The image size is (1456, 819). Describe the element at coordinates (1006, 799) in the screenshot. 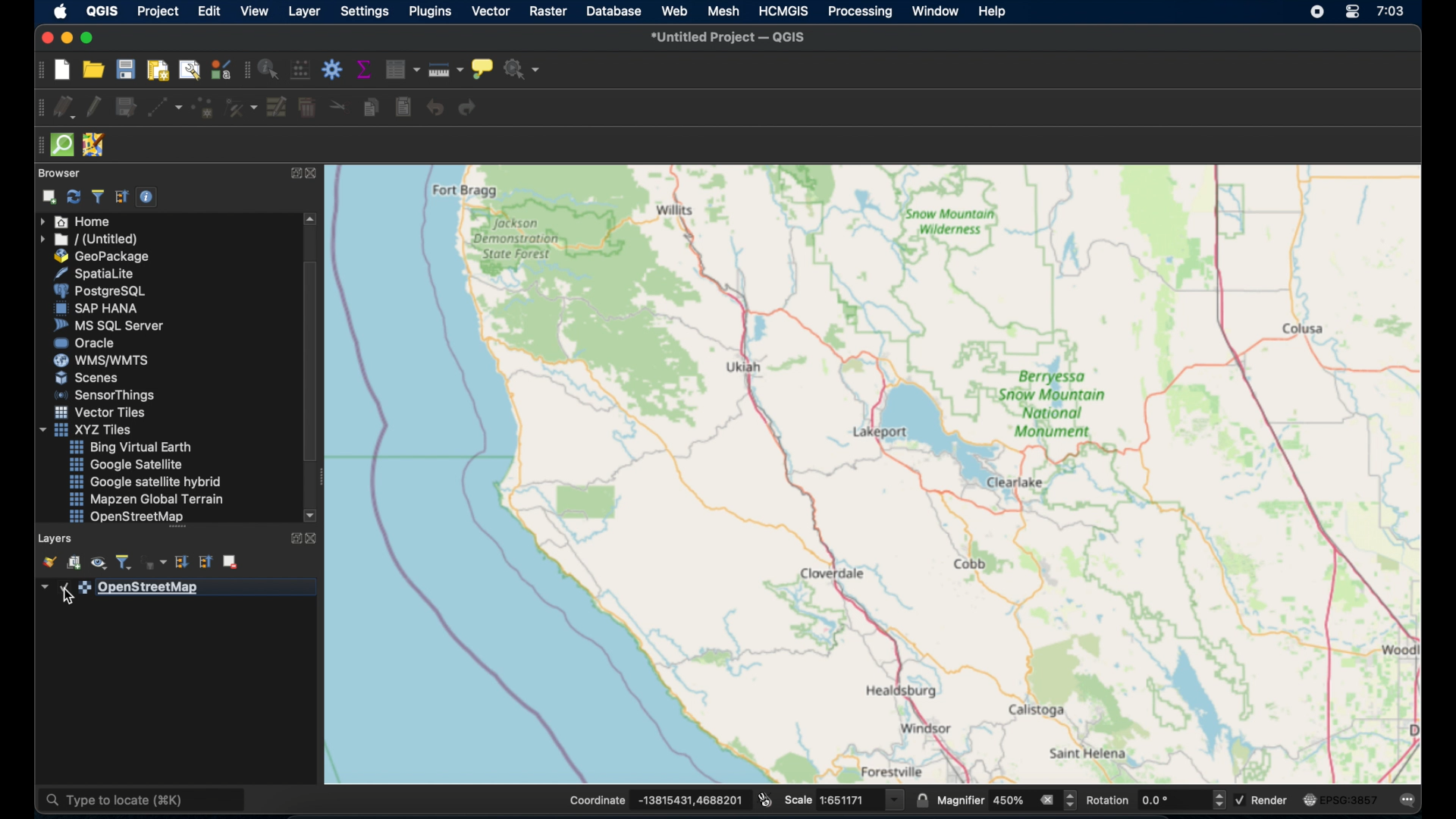

I see `magnifier` at that location.